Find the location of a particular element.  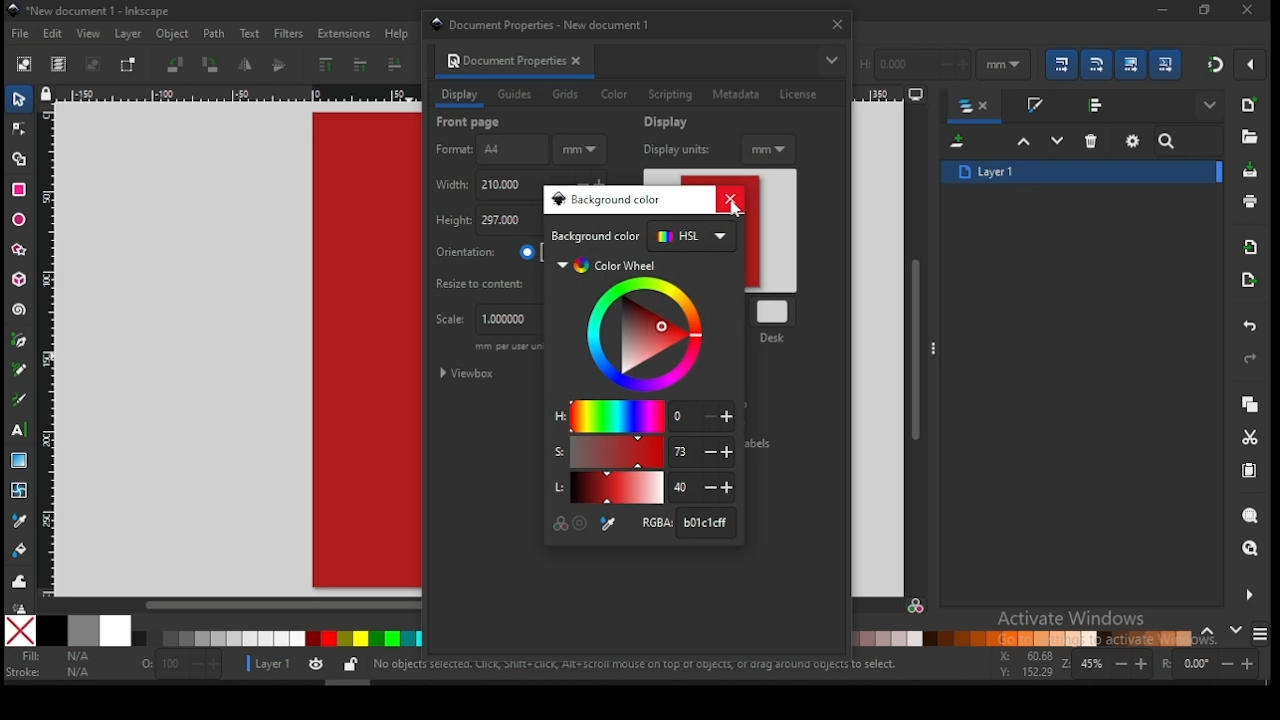

color manager mode is located at coordinates (916, 609).